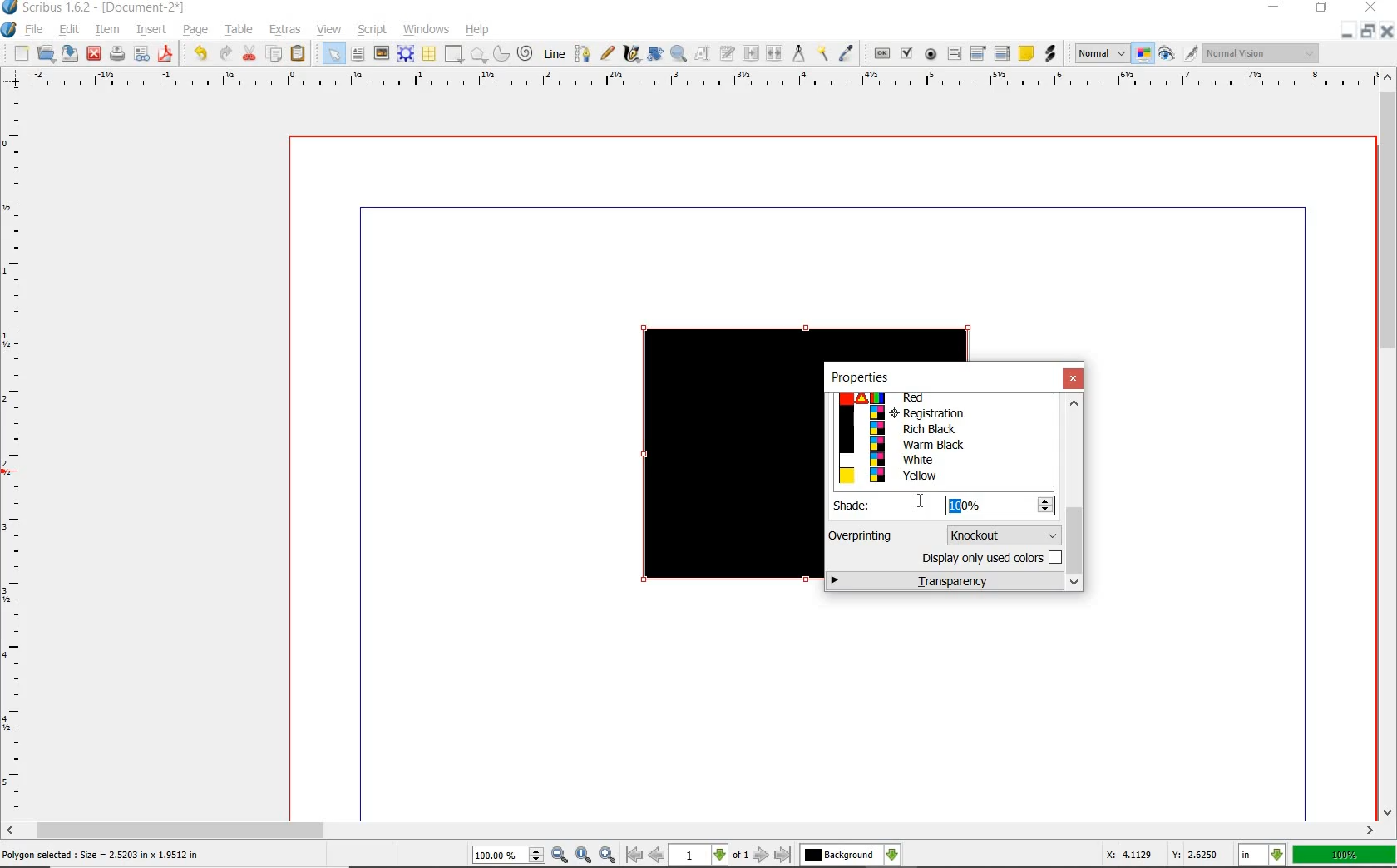 This screenshot has width=1397, height=868. What do you see at coordinates (119, 56) in the screenshot?
I see `print` at bounding box center [119, 56].